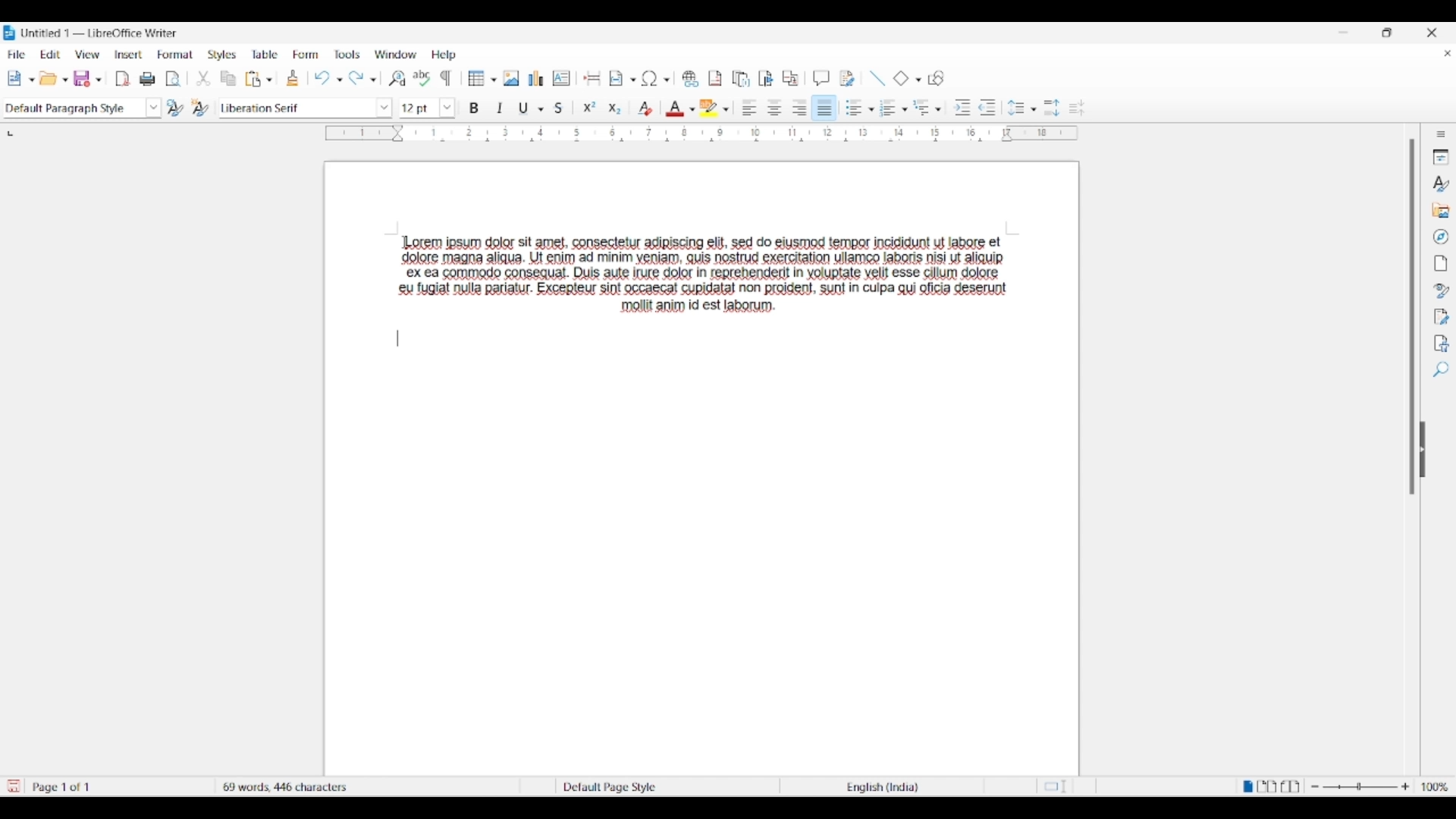 This screenshot has height=819, width=1456. I want to click on Insert bookmark, so click(766, 78).